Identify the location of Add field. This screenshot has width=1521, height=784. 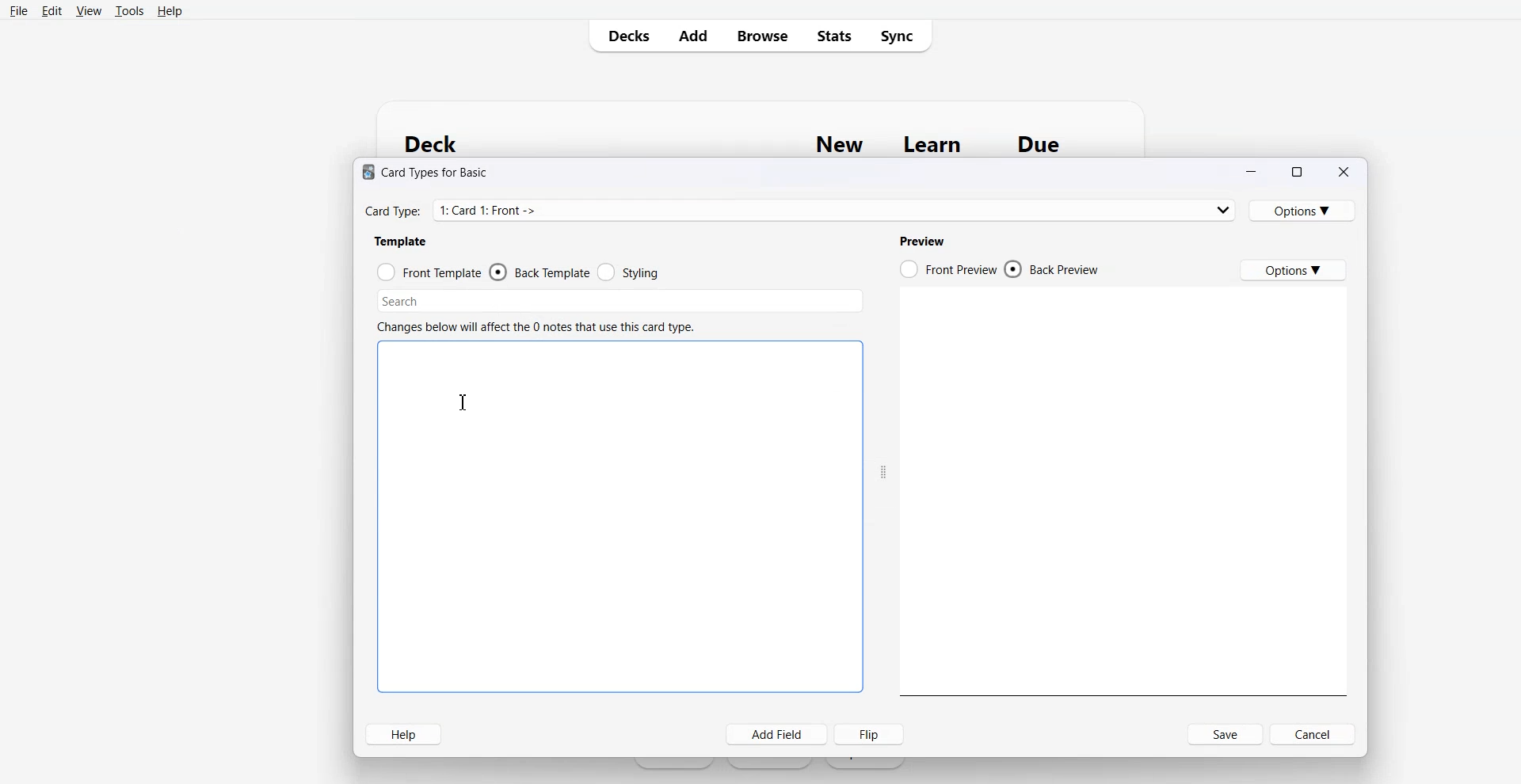
(776, 734).